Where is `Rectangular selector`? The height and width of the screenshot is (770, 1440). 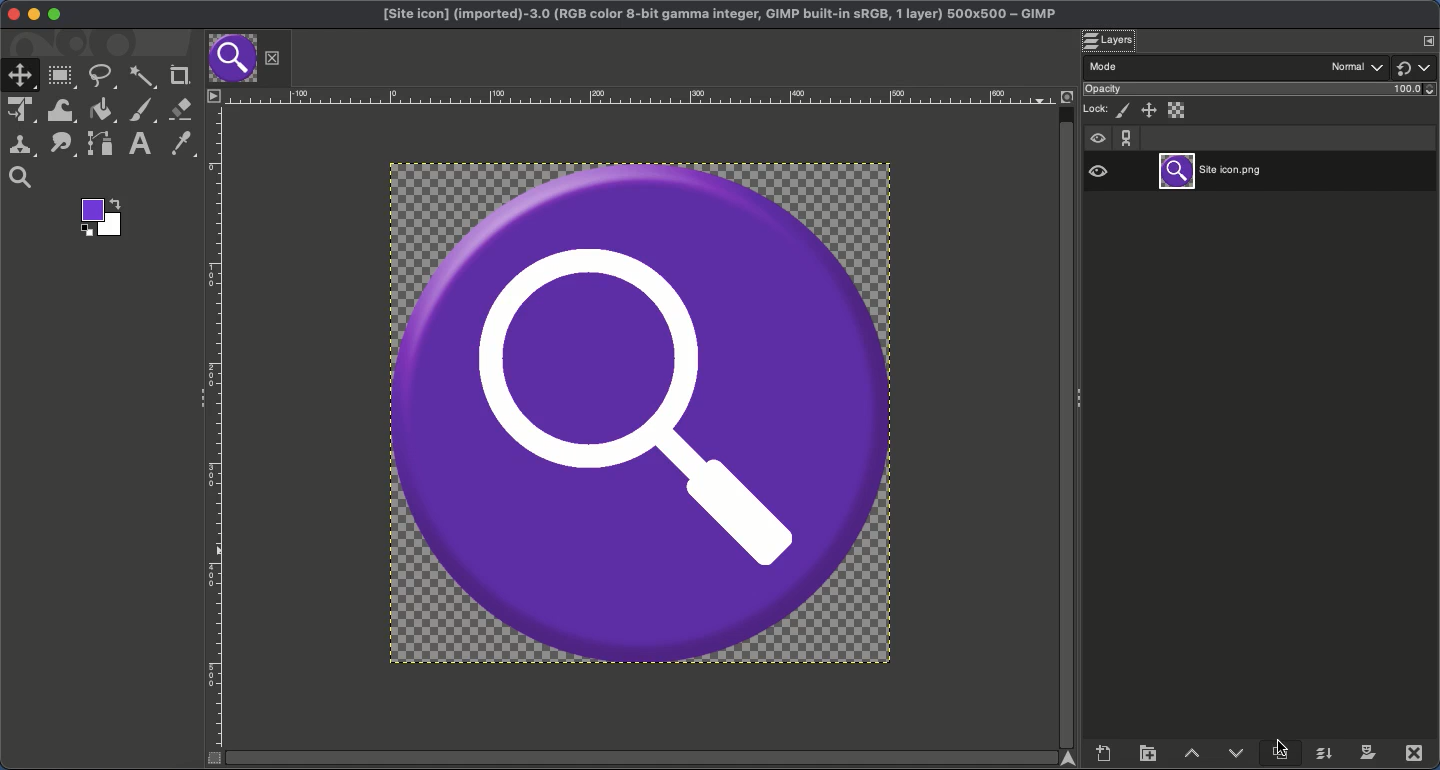 Rectangular selector is located at coordinates (60, 78).